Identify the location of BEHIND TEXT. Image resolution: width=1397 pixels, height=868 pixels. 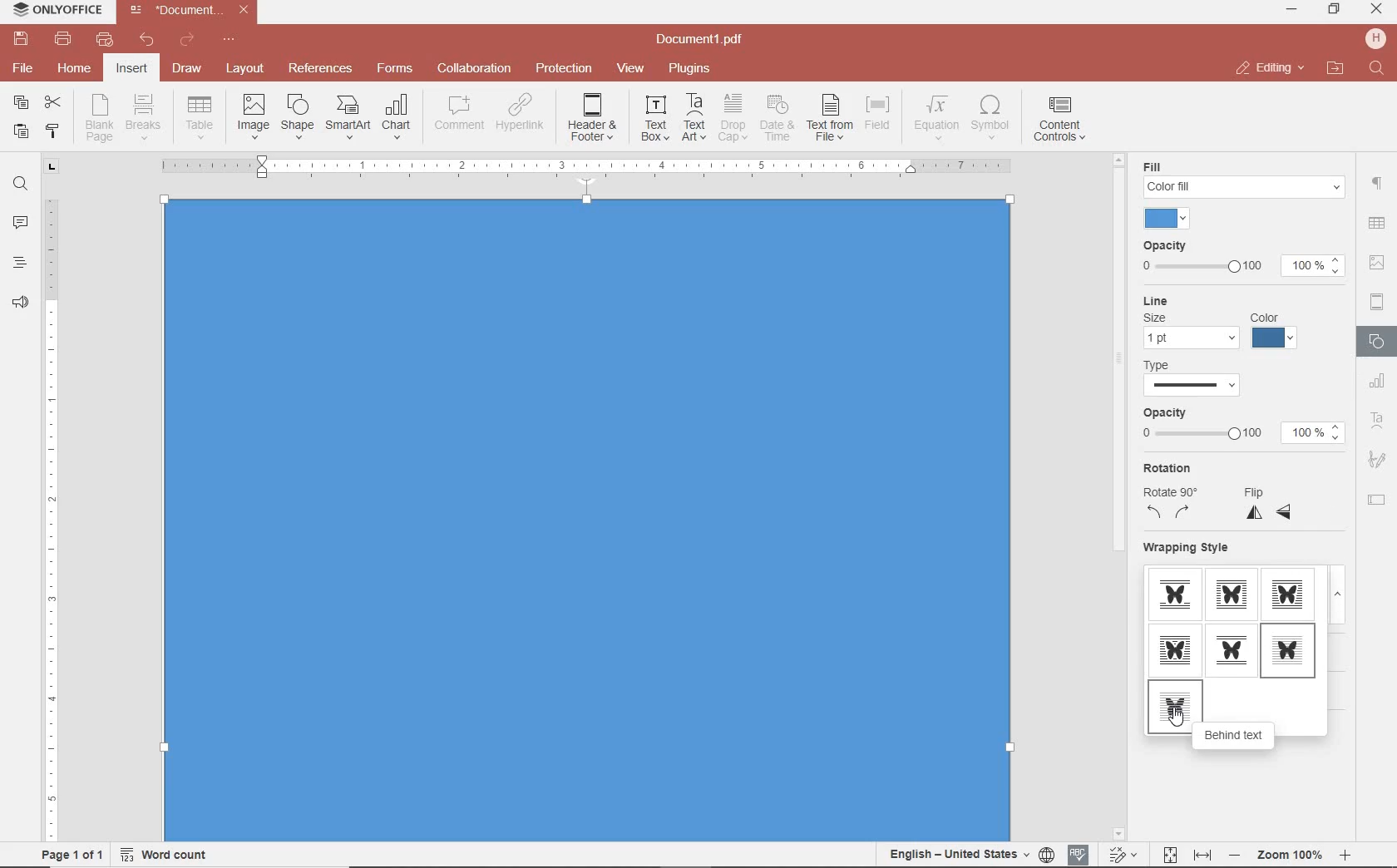
(1237, 737).